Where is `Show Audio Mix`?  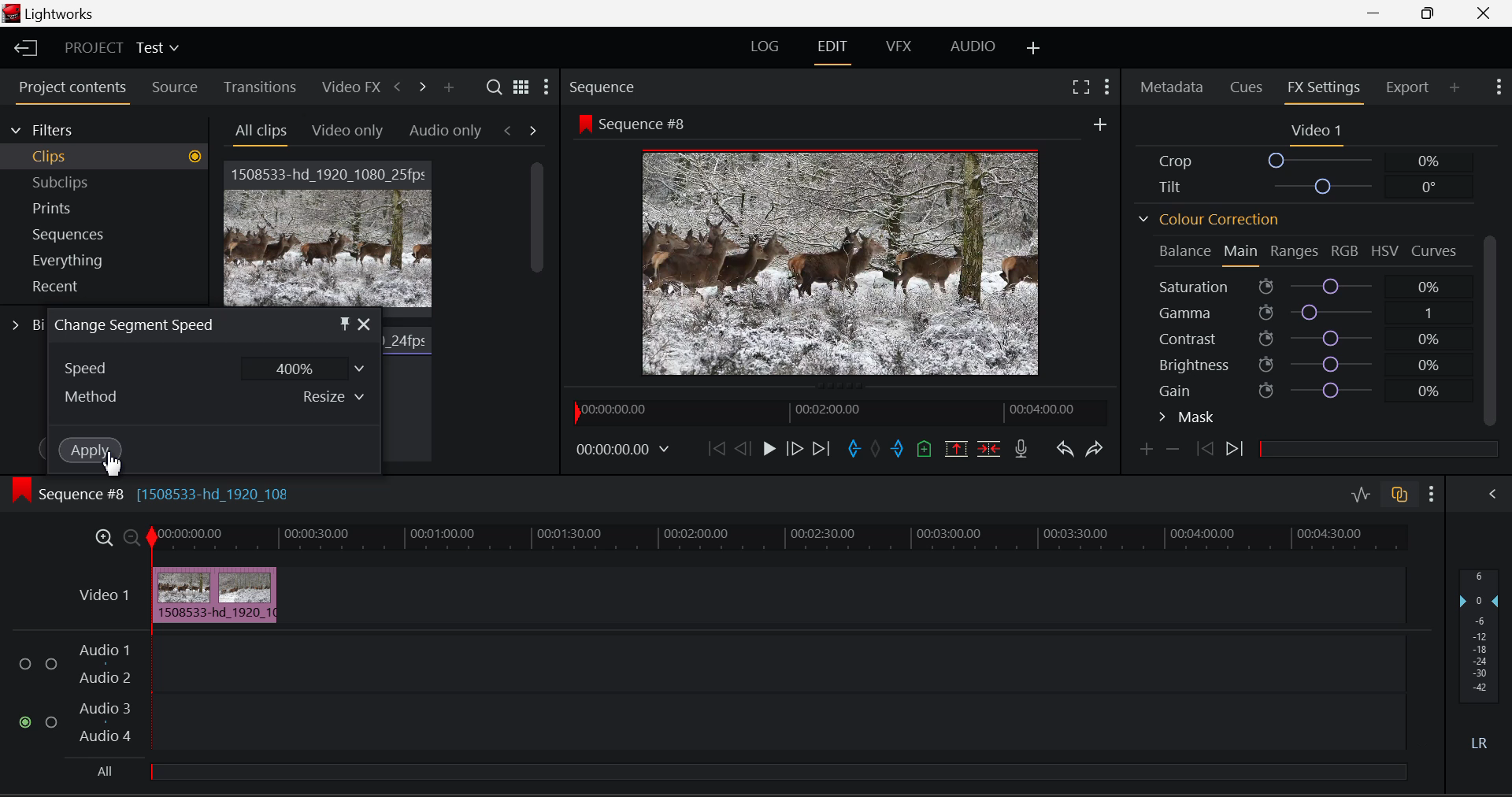
Show Audio Mix is located at coordinates (1496, 496).